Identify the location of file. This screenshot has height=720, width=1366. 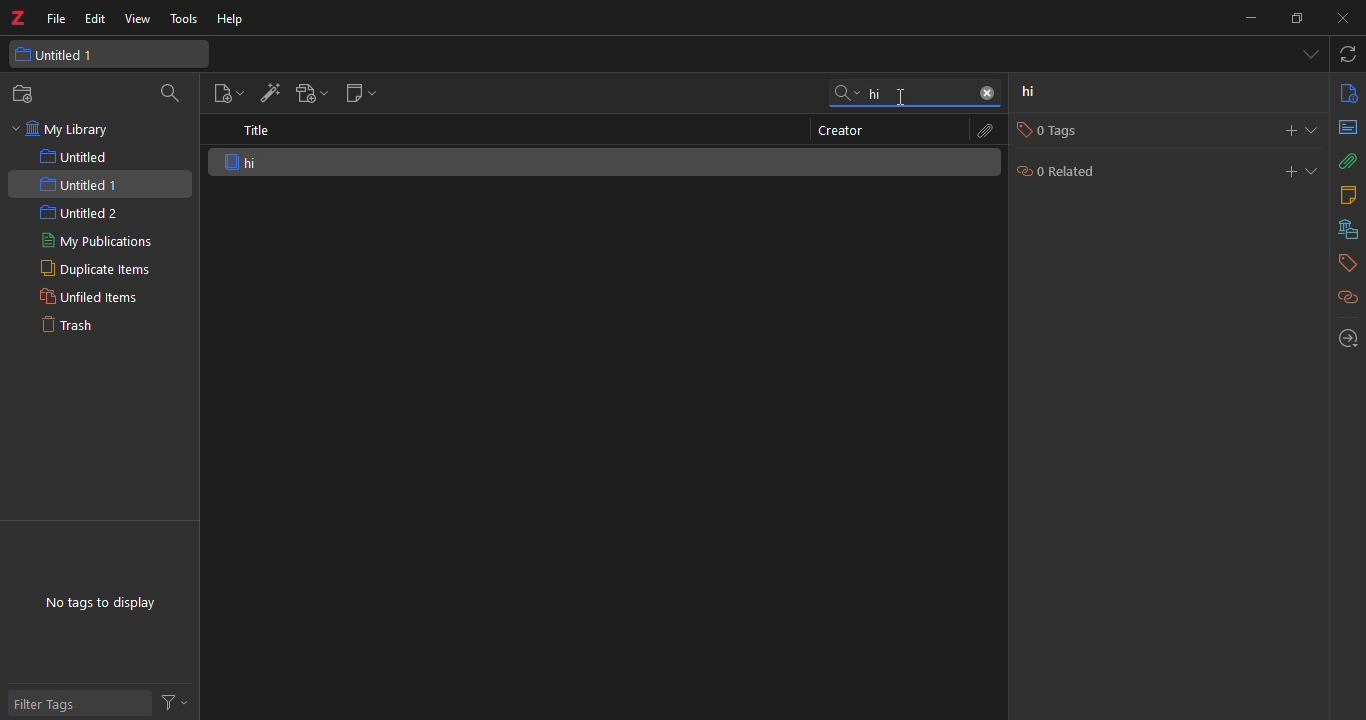
(57, 16).